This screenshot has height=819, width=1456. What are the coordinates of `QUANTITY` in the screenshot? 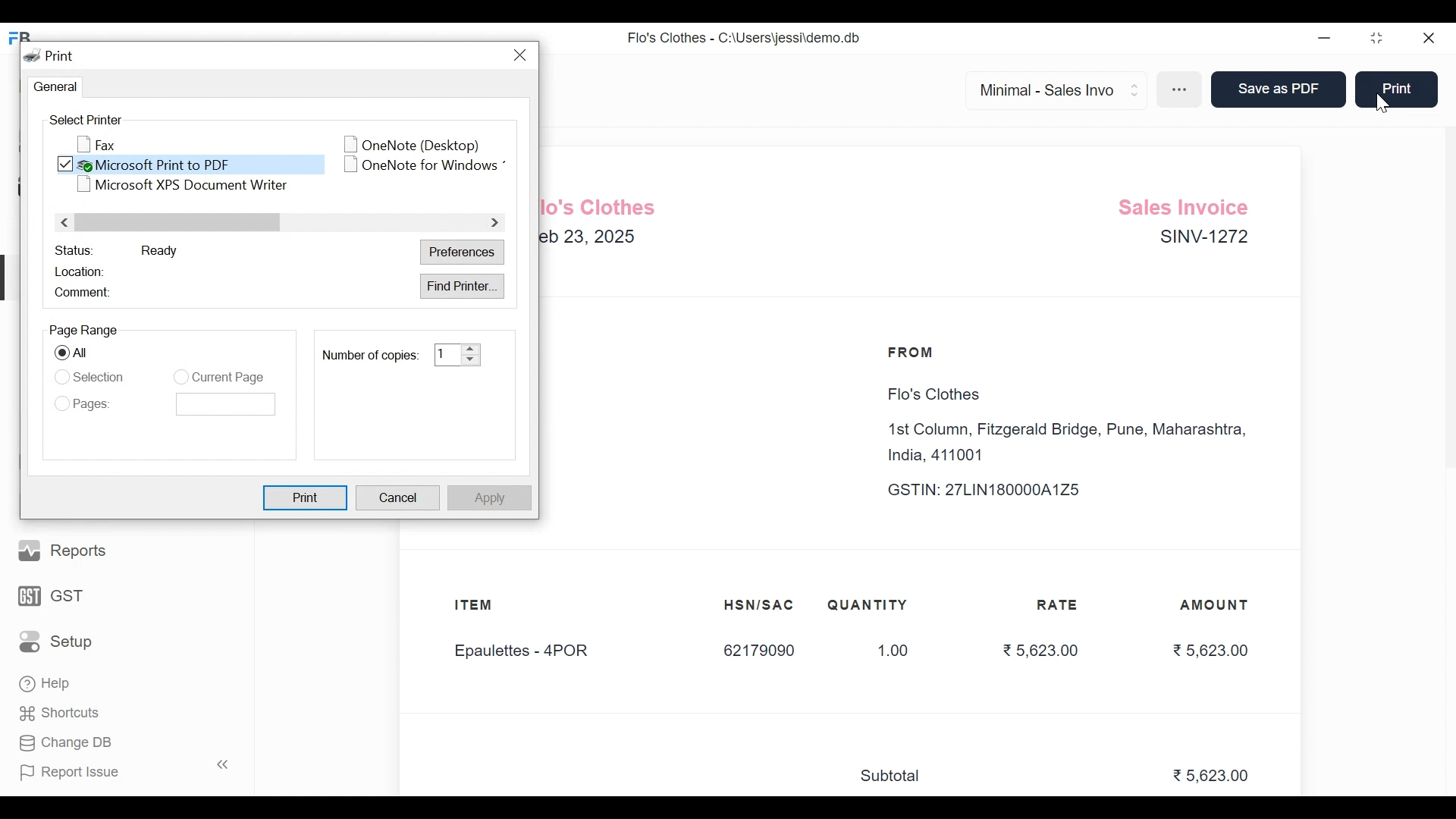 It's located at (868, 605).